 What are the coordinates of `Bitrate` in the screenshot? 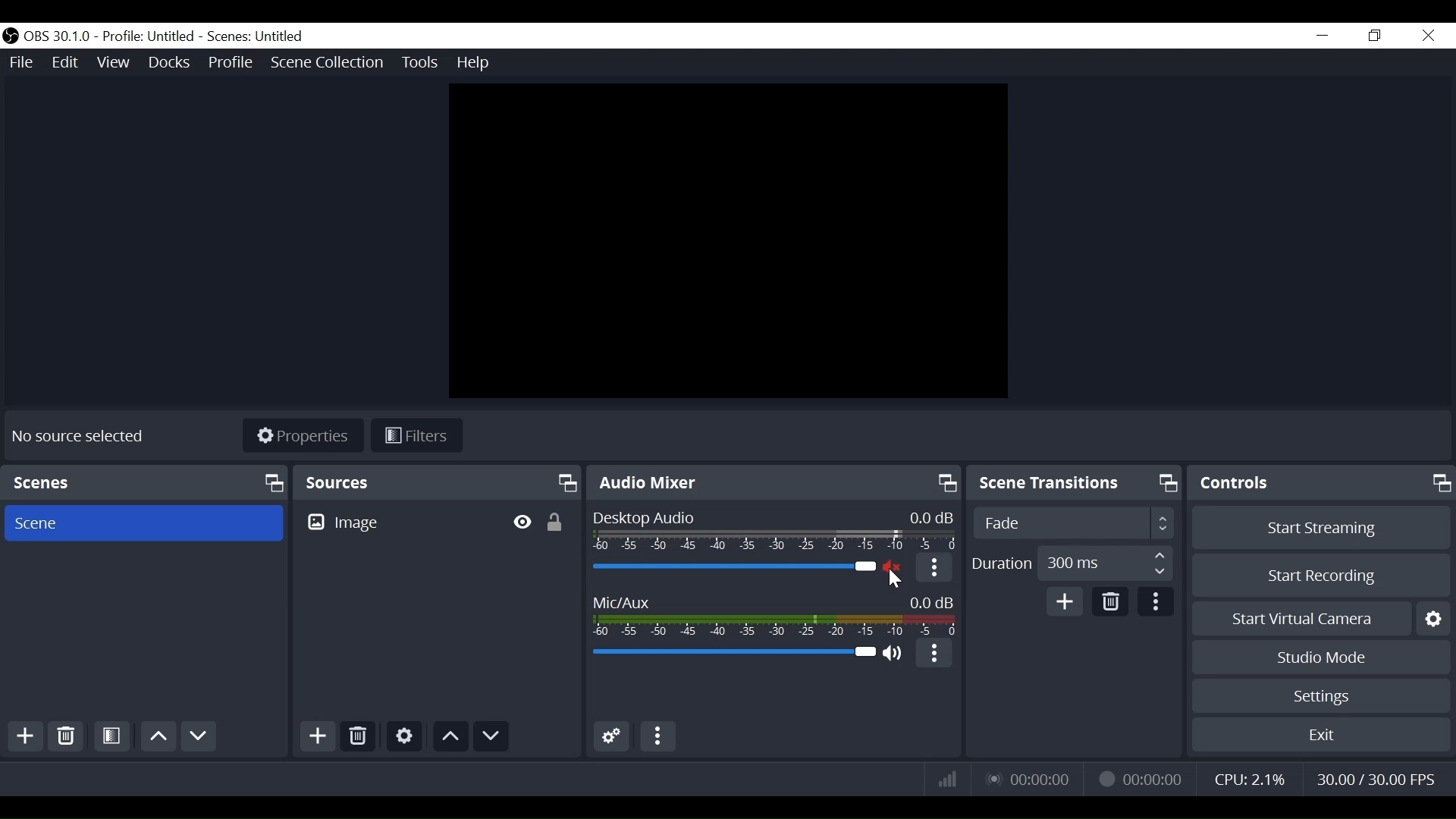 It's located at (944, 779).